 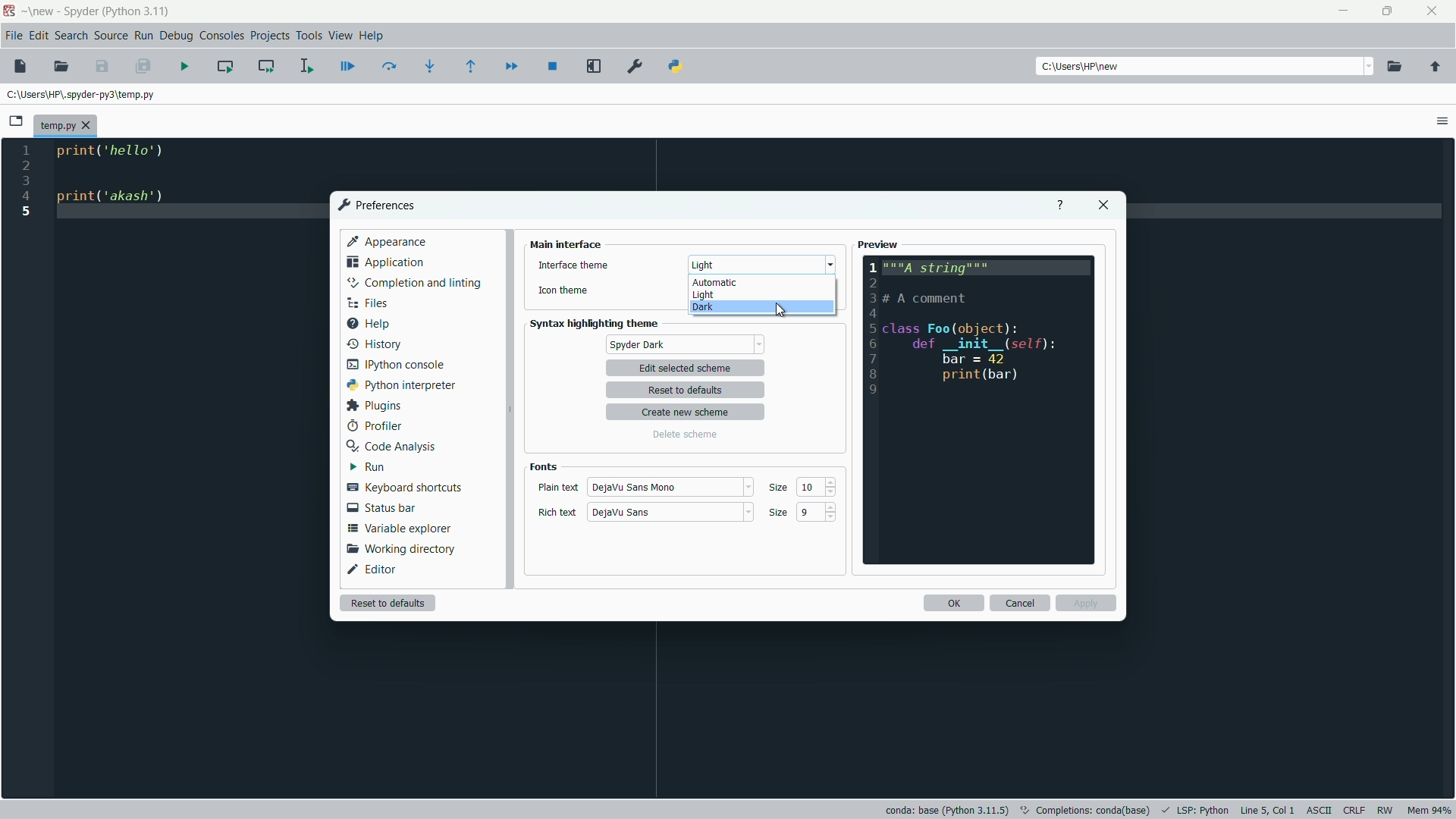 I want to click on ok, so click(x=952, y=603).